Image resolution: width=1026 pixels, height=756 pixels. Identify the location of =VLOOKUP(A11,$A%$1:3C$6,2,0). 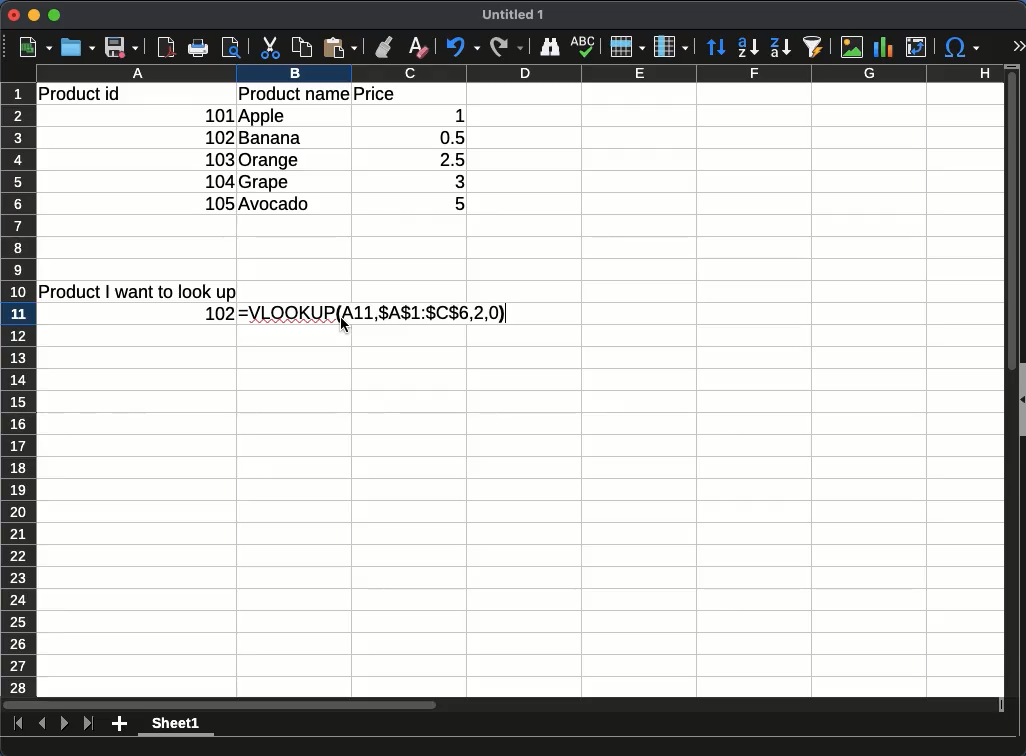
(374, 313).